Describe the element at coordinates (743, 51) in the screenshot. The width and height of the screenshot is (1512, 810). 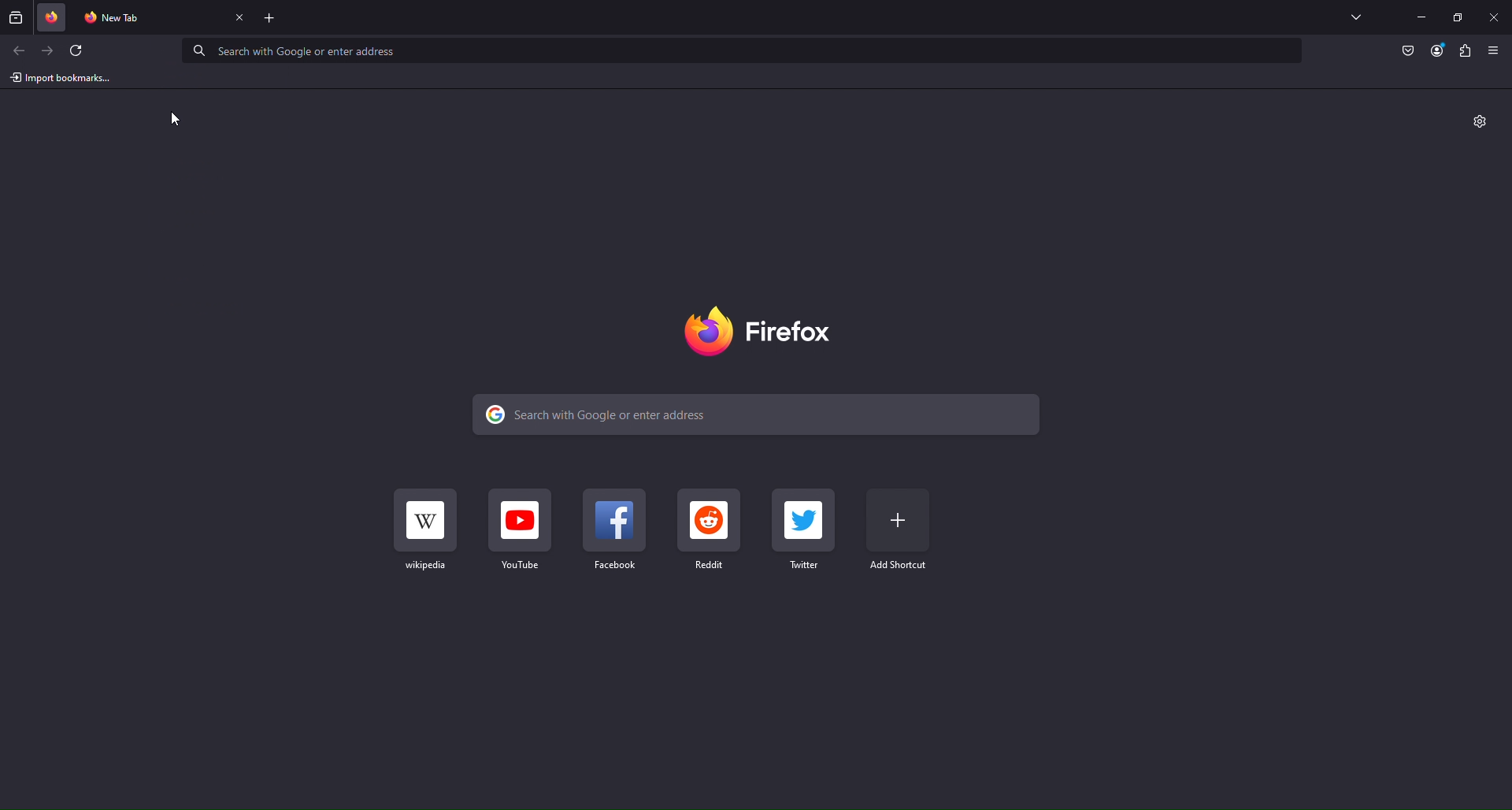
I see `Address Bar` at that location.